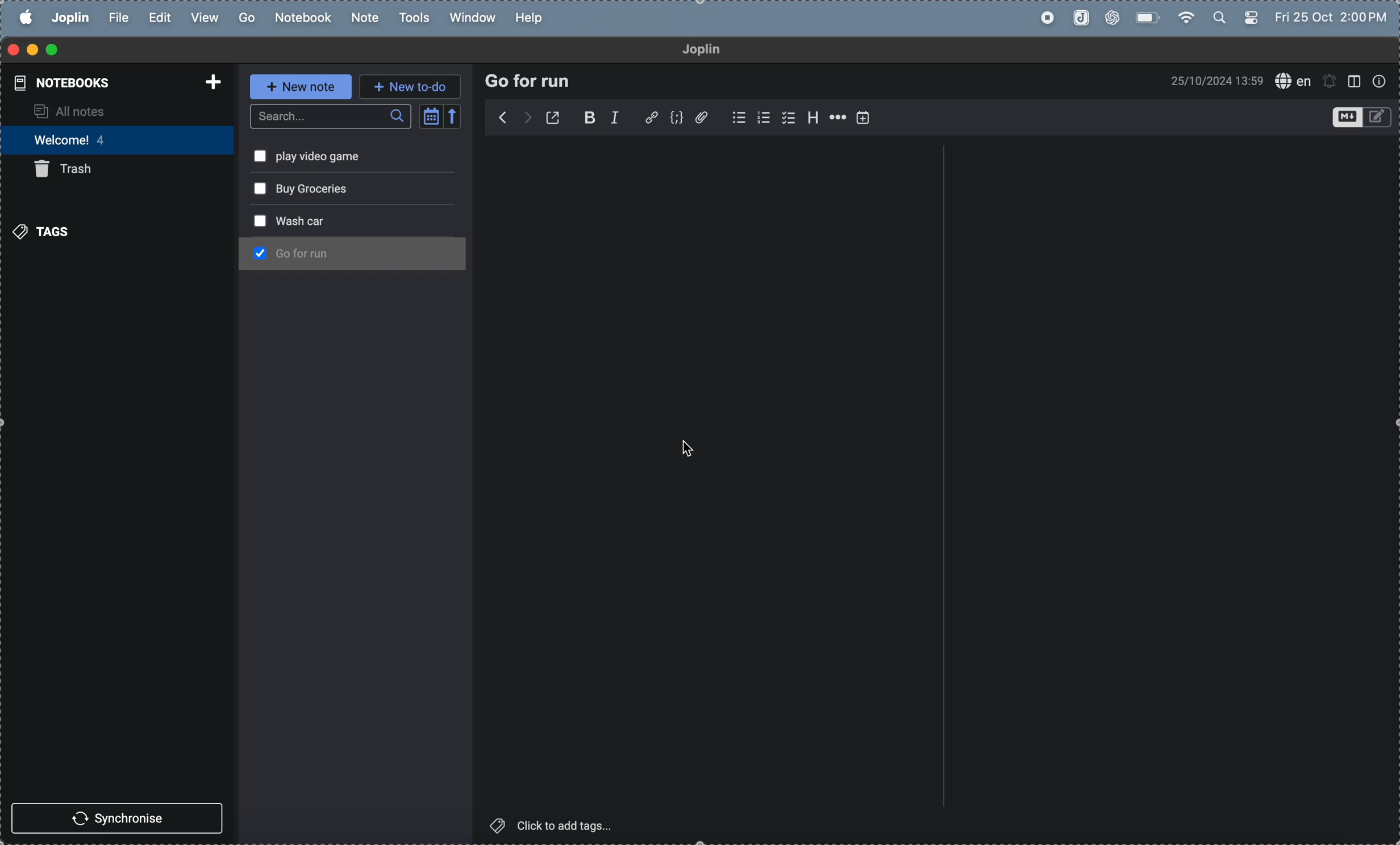  I want to click on itallic, so click(622, 117).